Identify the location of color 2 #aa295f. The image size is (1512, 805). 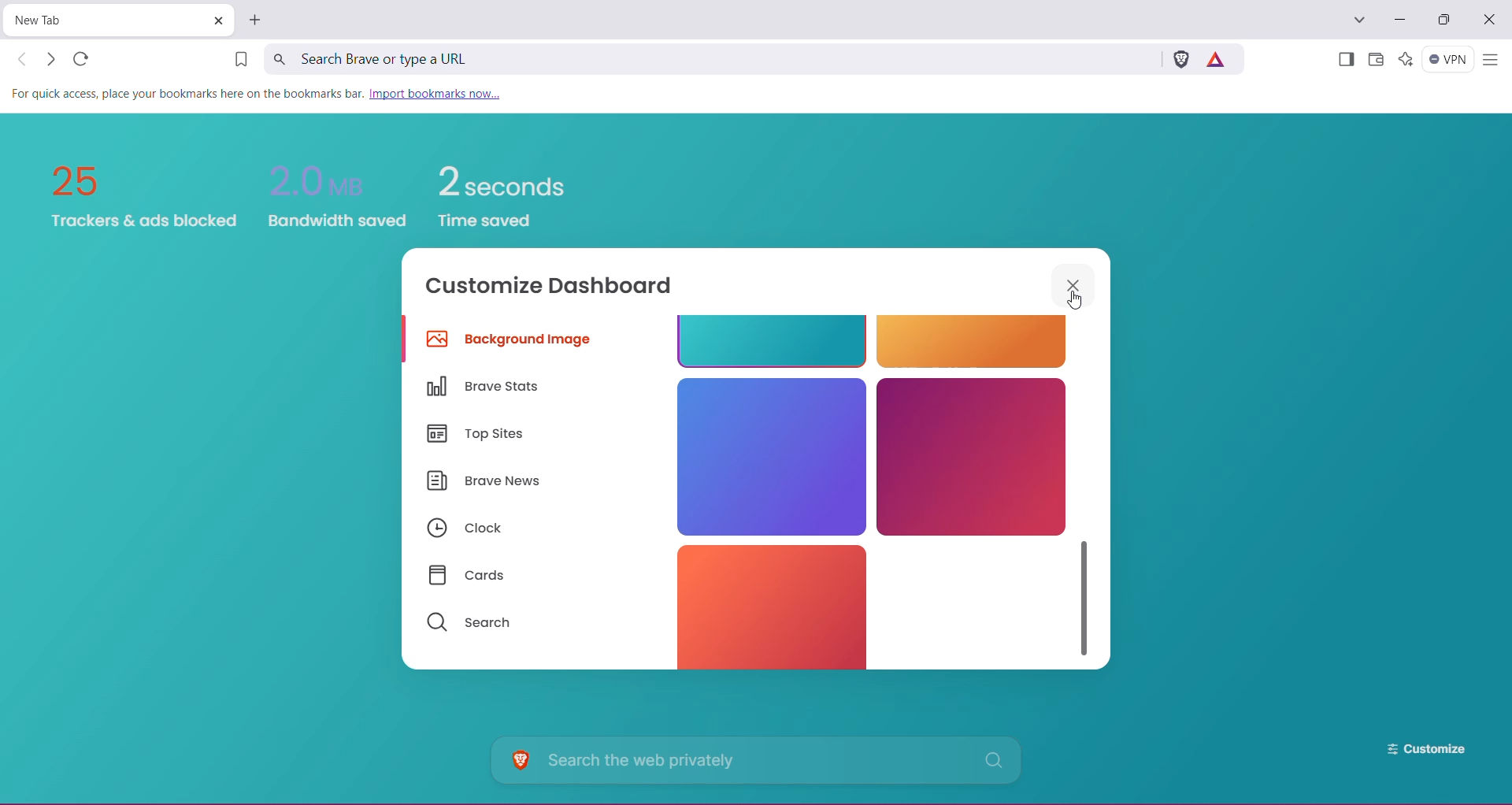
(972, 456).